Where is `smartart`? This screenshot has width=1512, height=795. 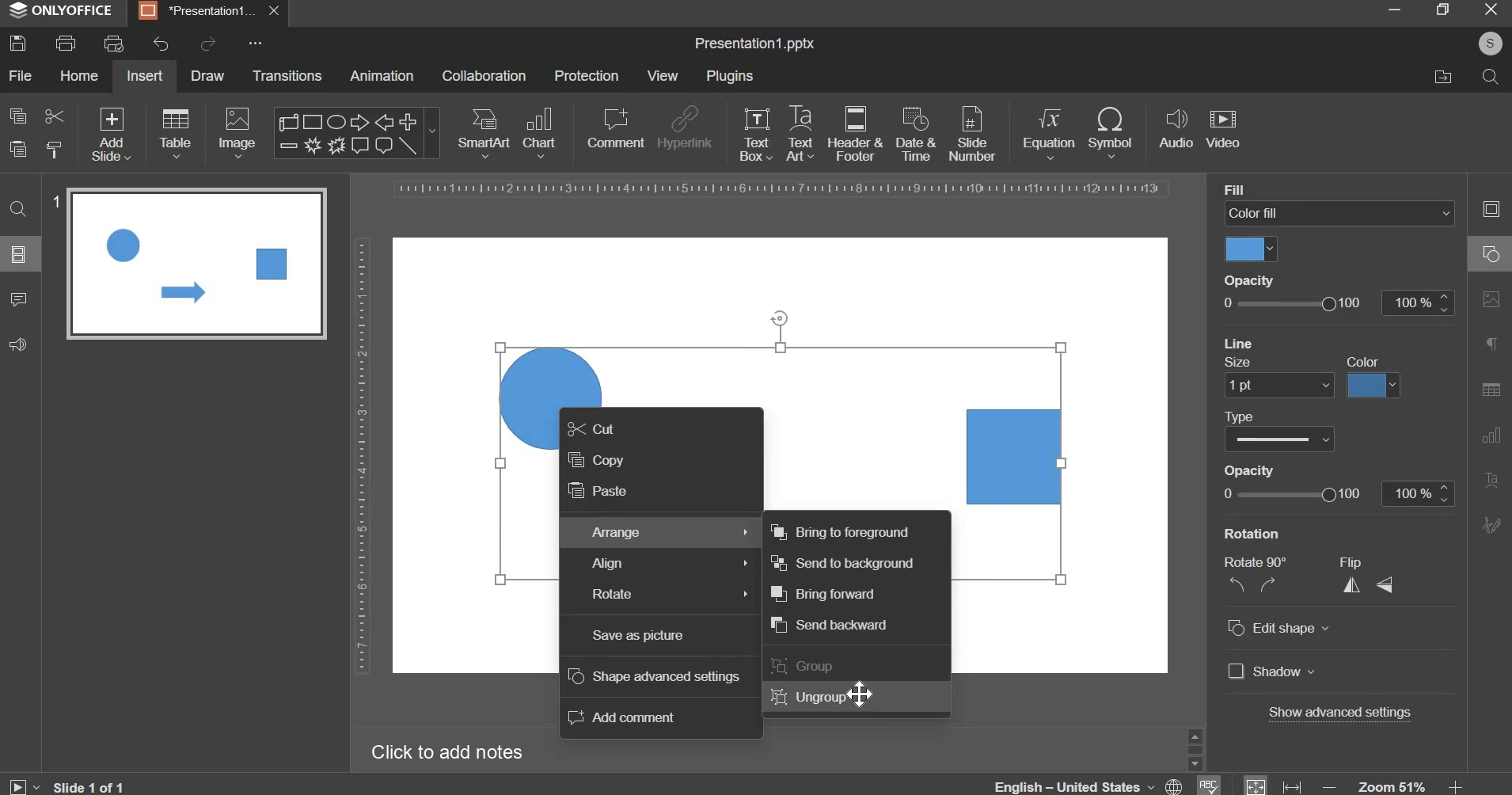
smartart is located at coordinates (484, 130).